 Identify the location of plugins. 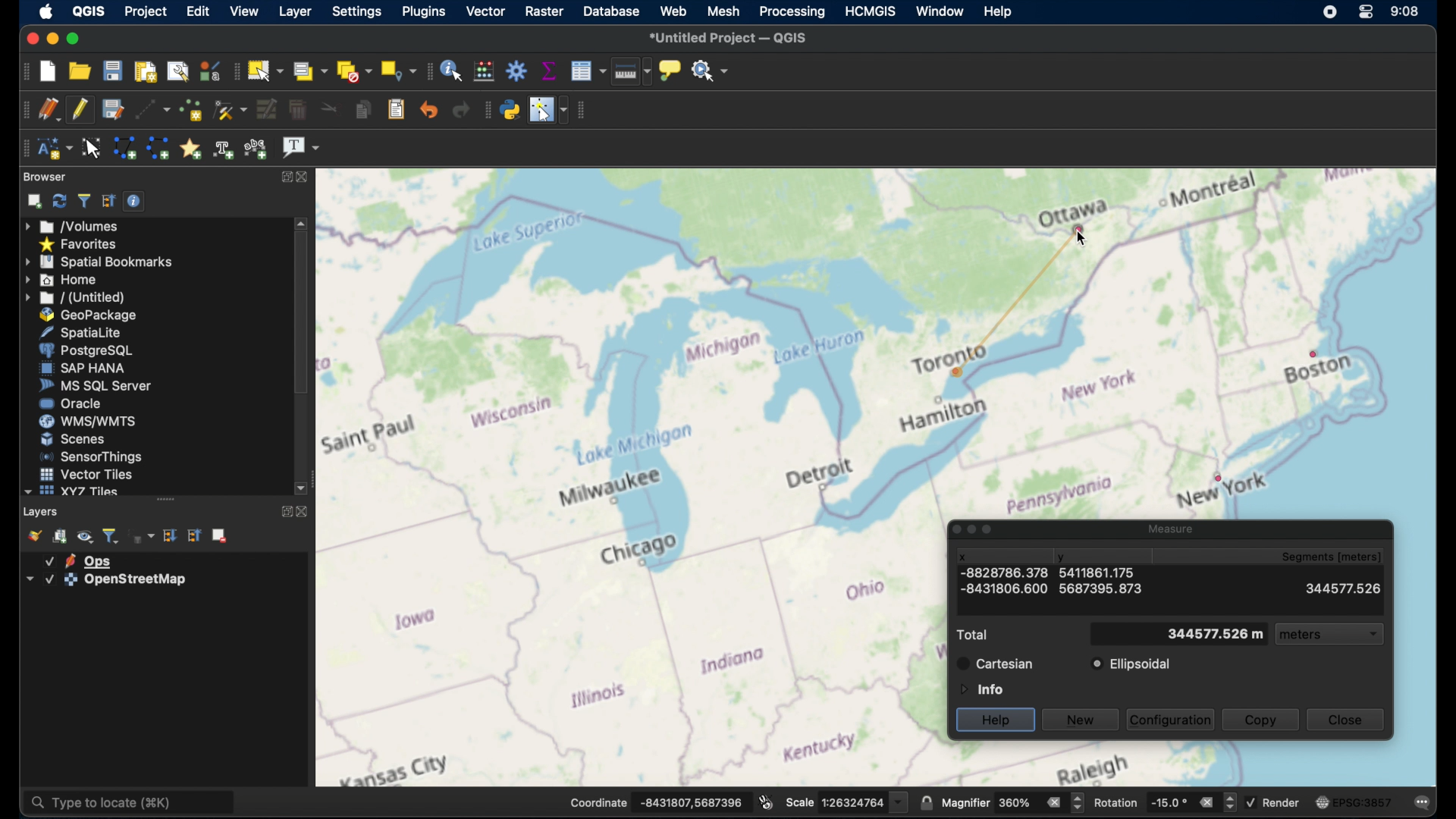
(422, 12).